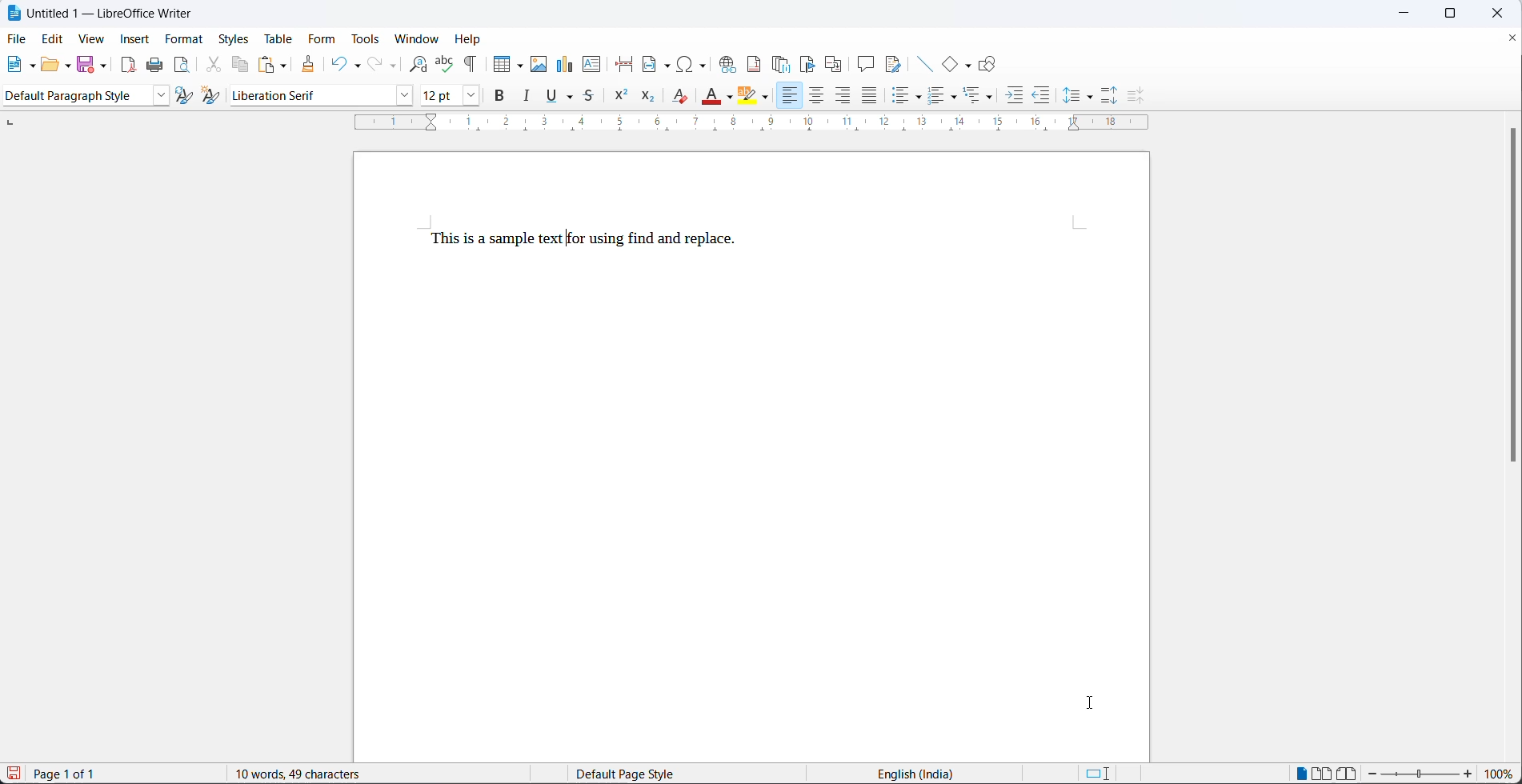 The height and width of the screenshot is (784, 1522). Describe the element at coordinates (445, 59) in the screenshot. I see `spellings` at that location.